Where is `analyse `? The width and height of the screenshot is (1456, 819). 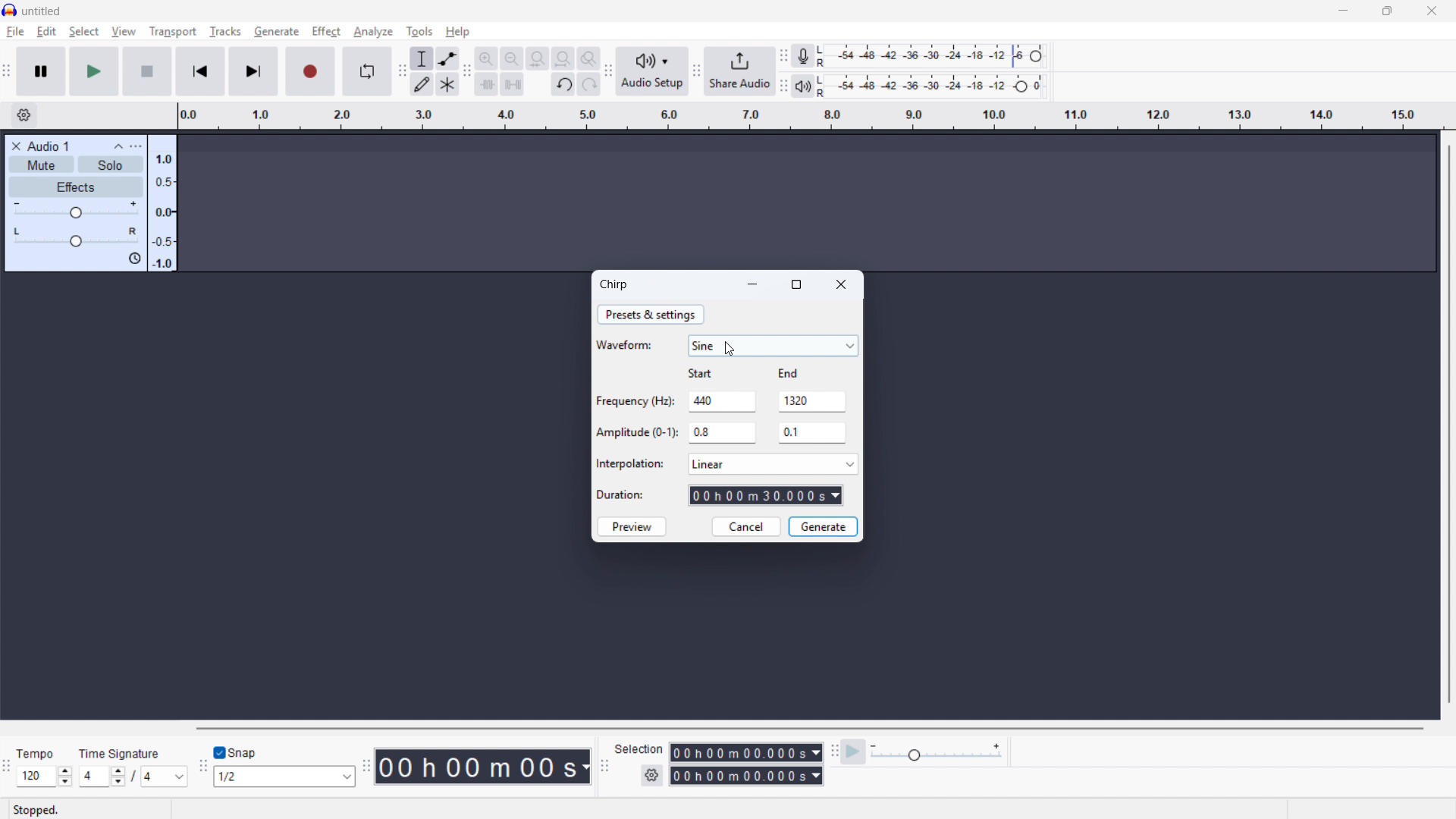 analyse  is located at coordinates (372, 33).